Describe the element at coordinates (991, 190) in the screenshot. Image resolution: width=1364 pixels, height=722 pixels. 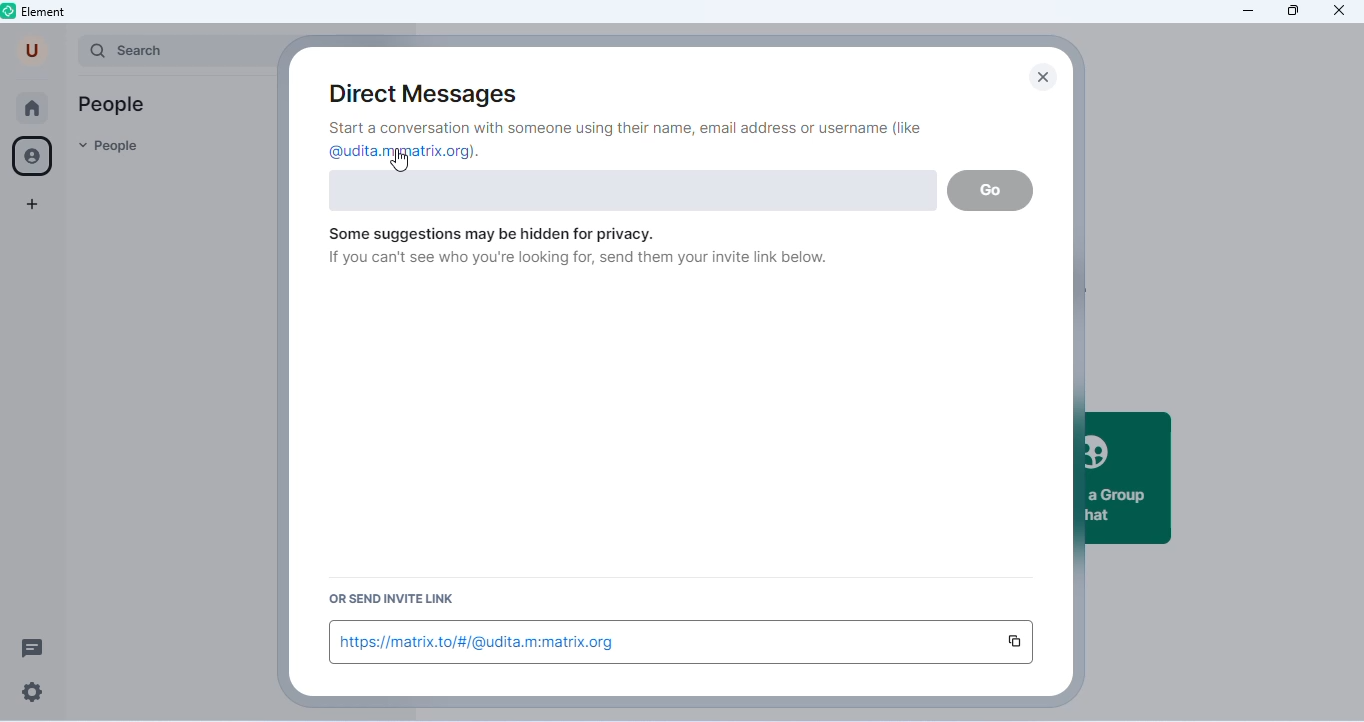
I see `go` at that location.